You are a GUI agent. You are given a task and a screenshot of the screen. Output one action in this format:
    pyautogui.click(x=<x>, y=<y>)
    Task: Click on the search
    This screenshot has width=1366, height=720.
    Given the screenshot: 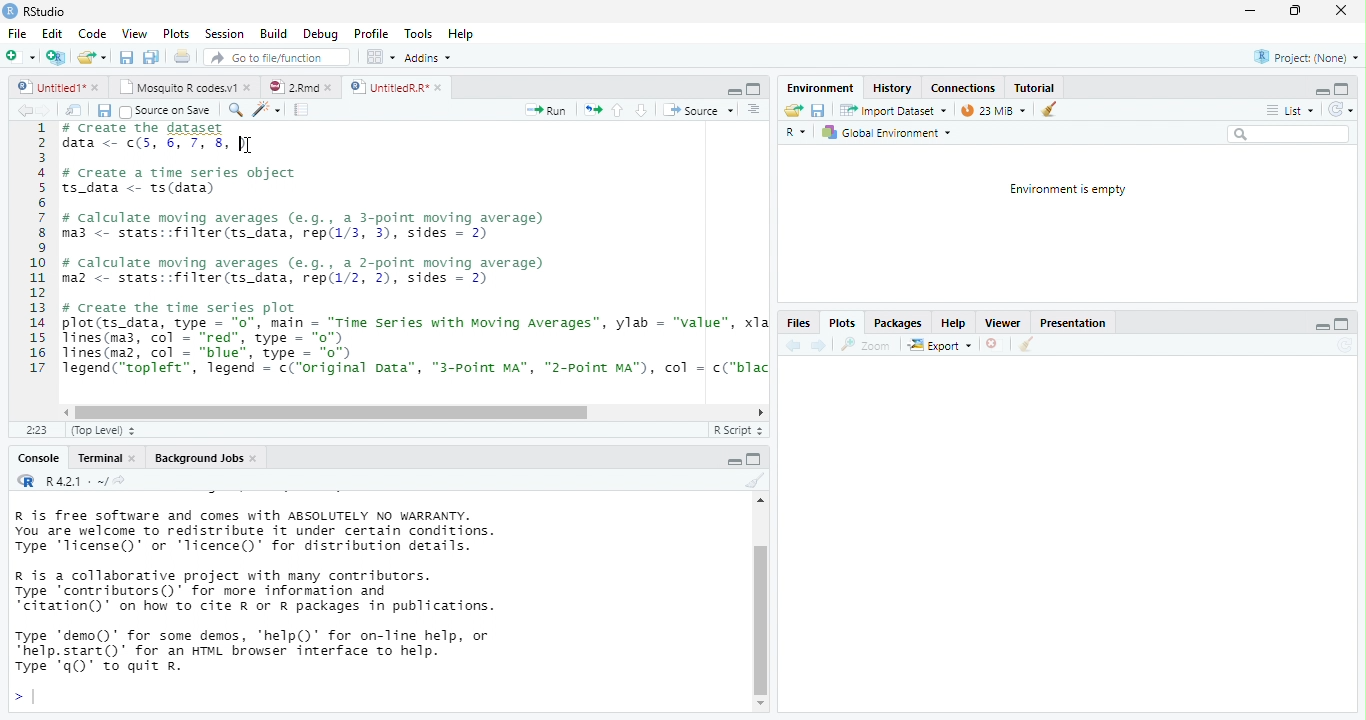 What is the action you would take?
    pyautogui.click(x=1288, y=134)
    